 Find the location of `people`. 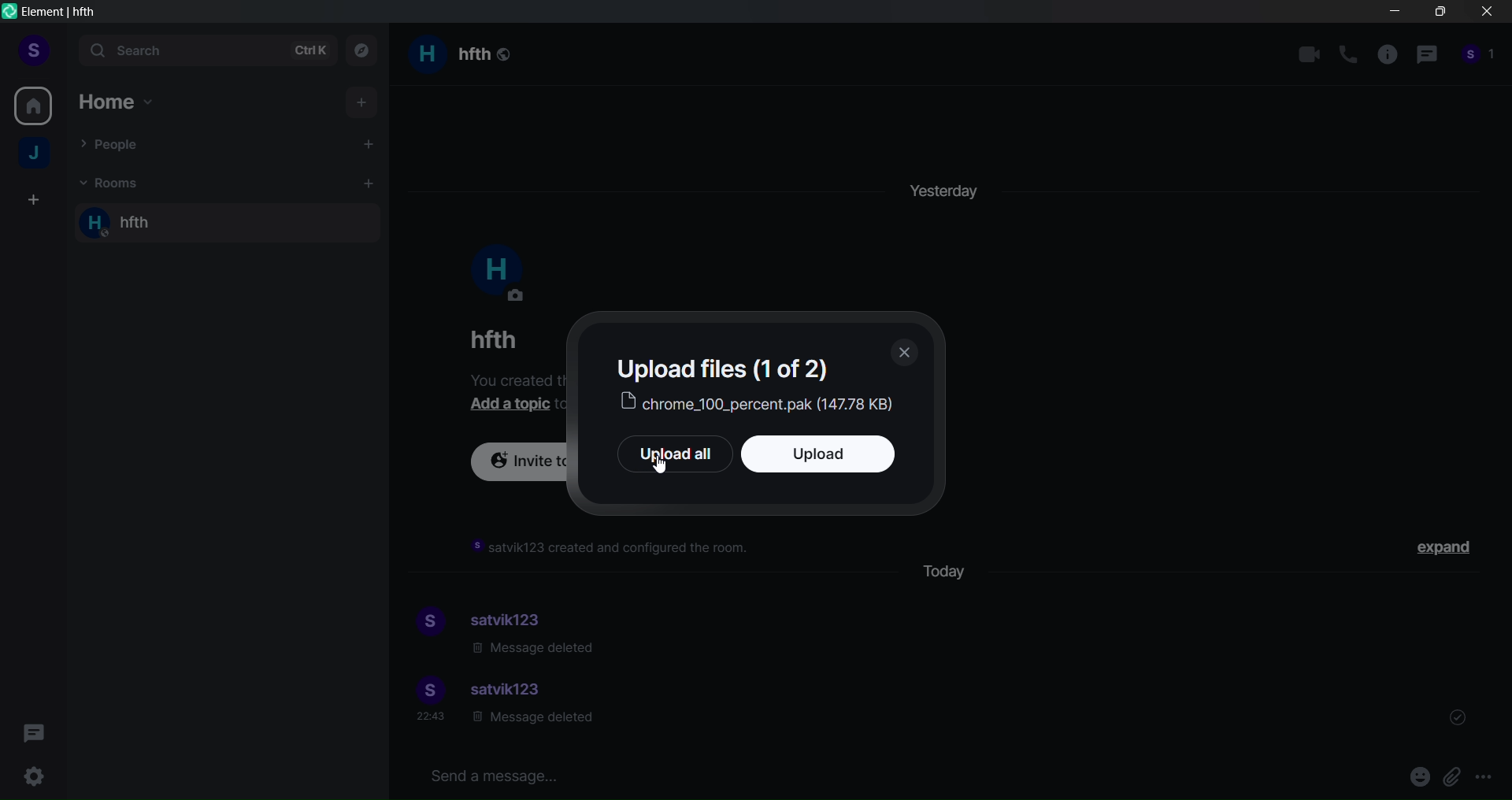

people is located at coordinates (117, 146).